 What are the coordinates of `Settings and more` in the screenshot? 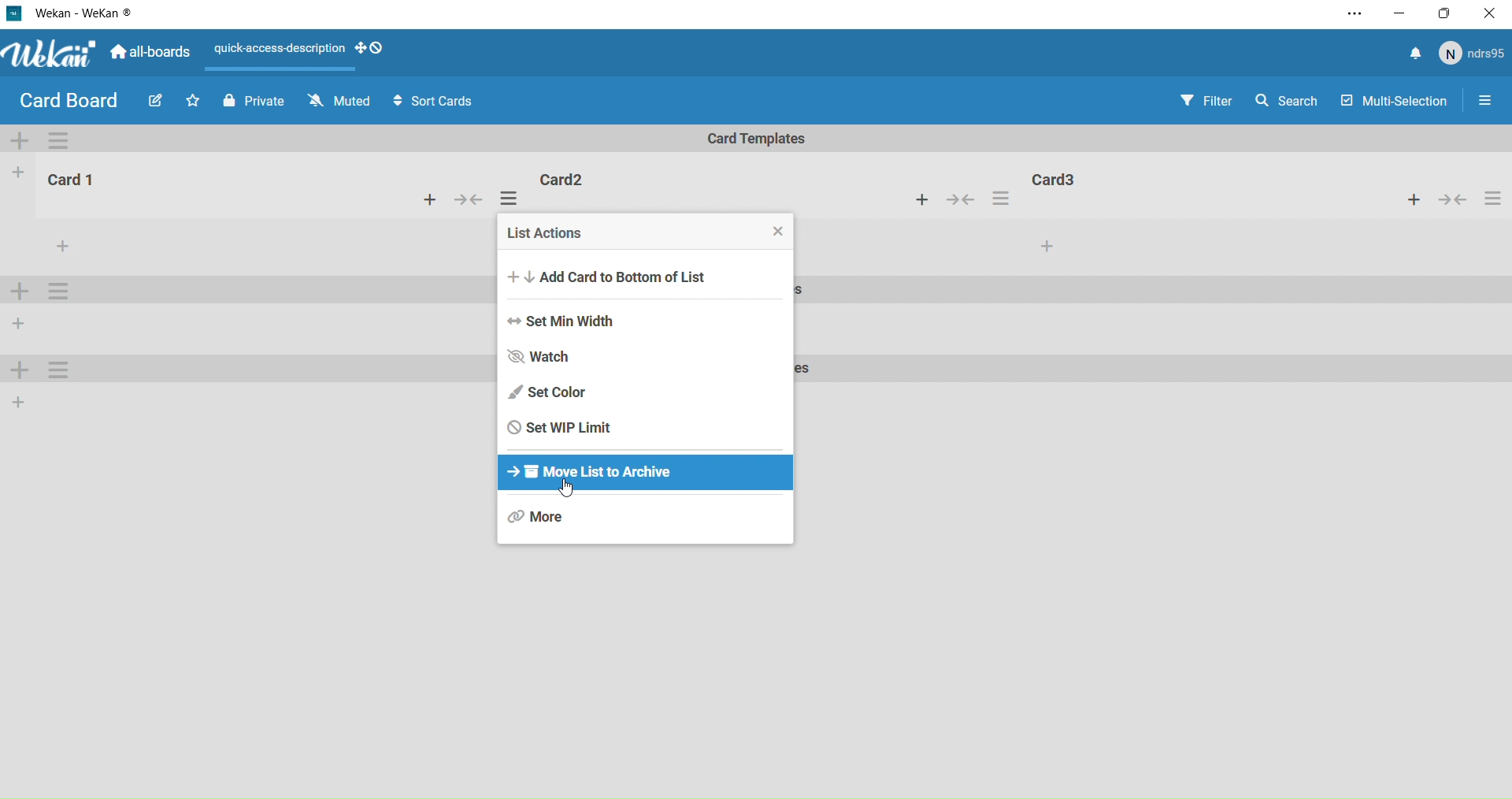 It's located at (1352, 17).